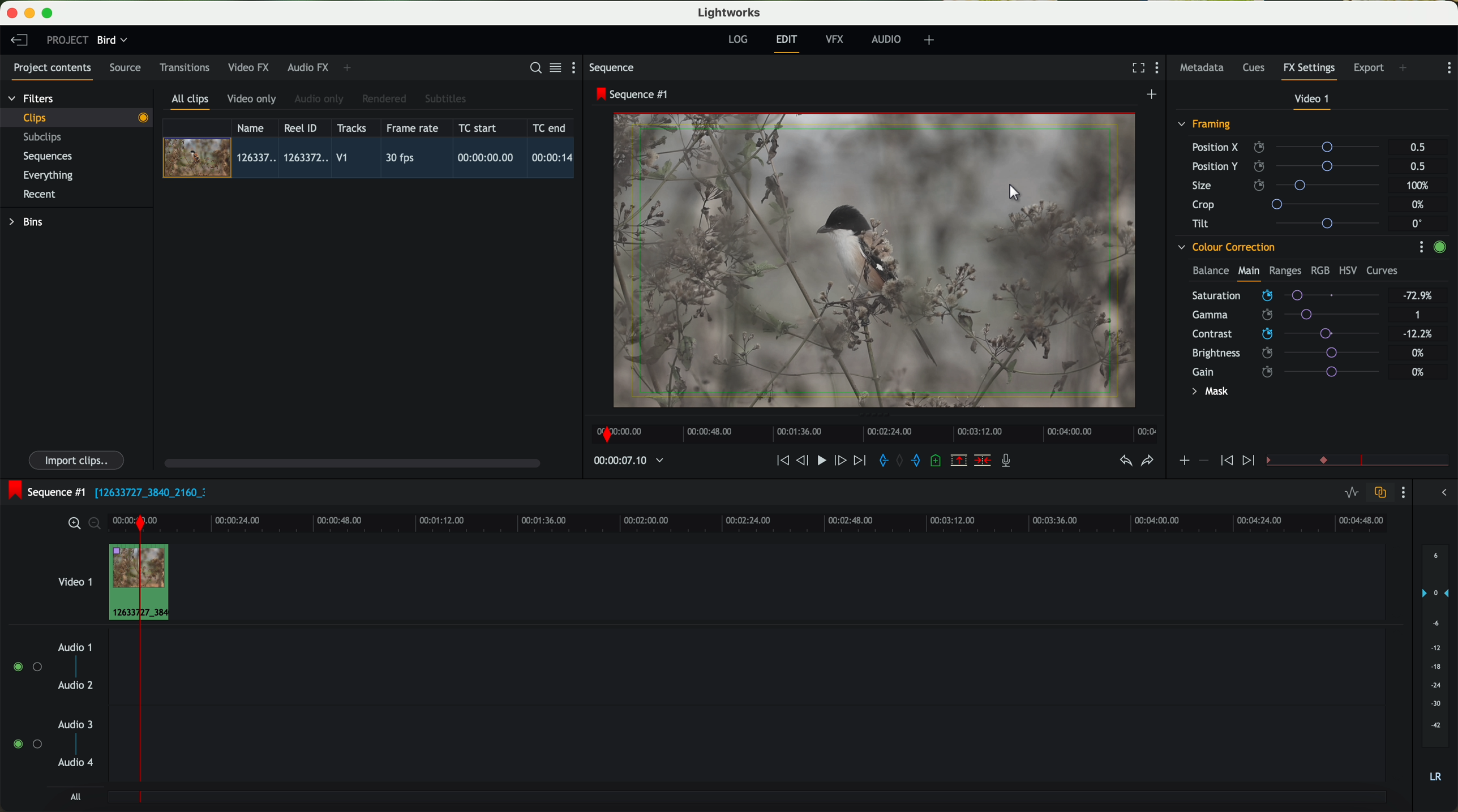 Image resolution: width=1458 pixels, height=812 pixels. Describe the element at coordinates (1351, 494) in the screenshot. I see `toggle audio levels editing` at that location.